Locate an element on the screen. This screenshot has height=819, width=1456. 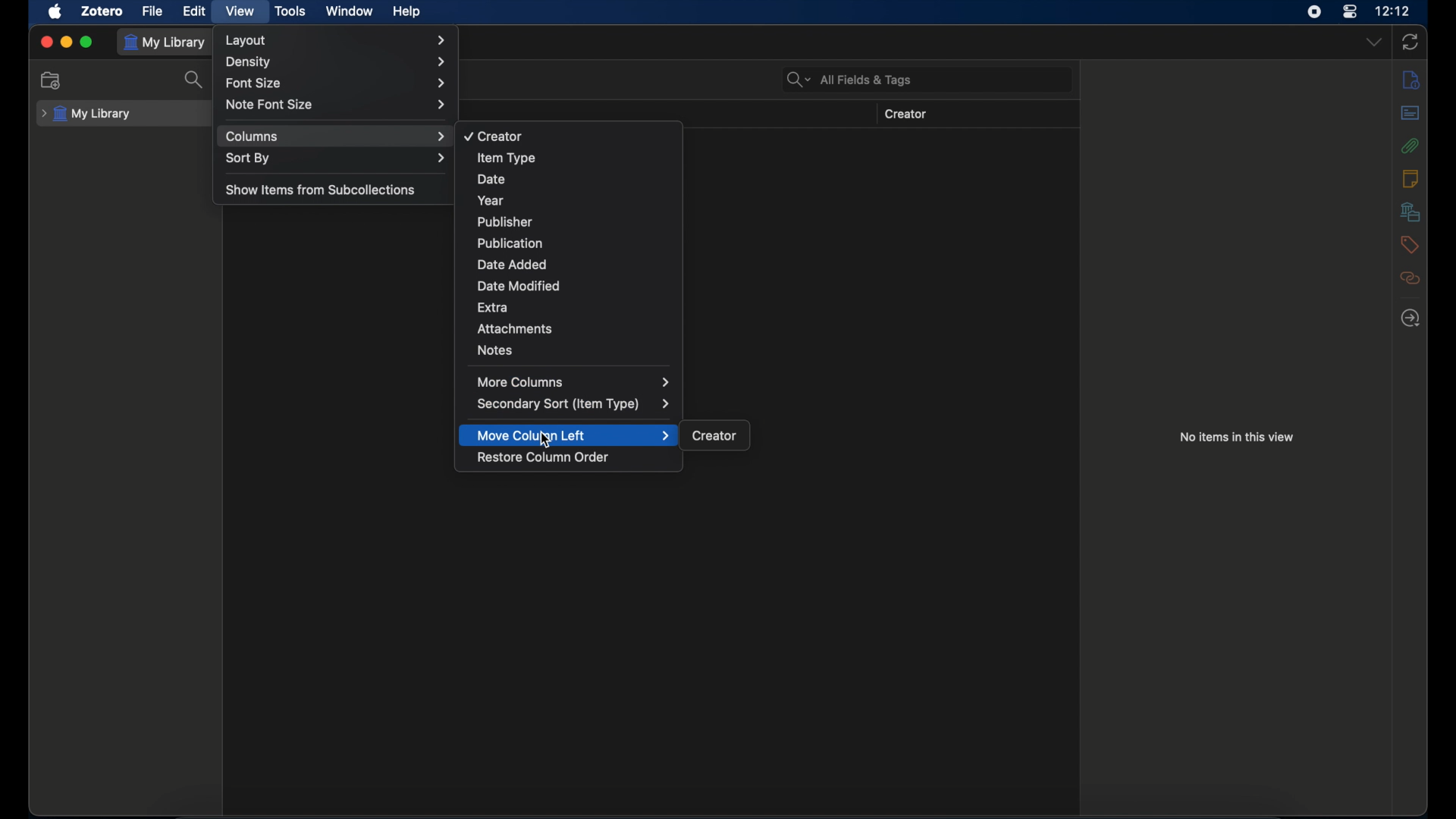
my library is located at coordinates (86, 115).